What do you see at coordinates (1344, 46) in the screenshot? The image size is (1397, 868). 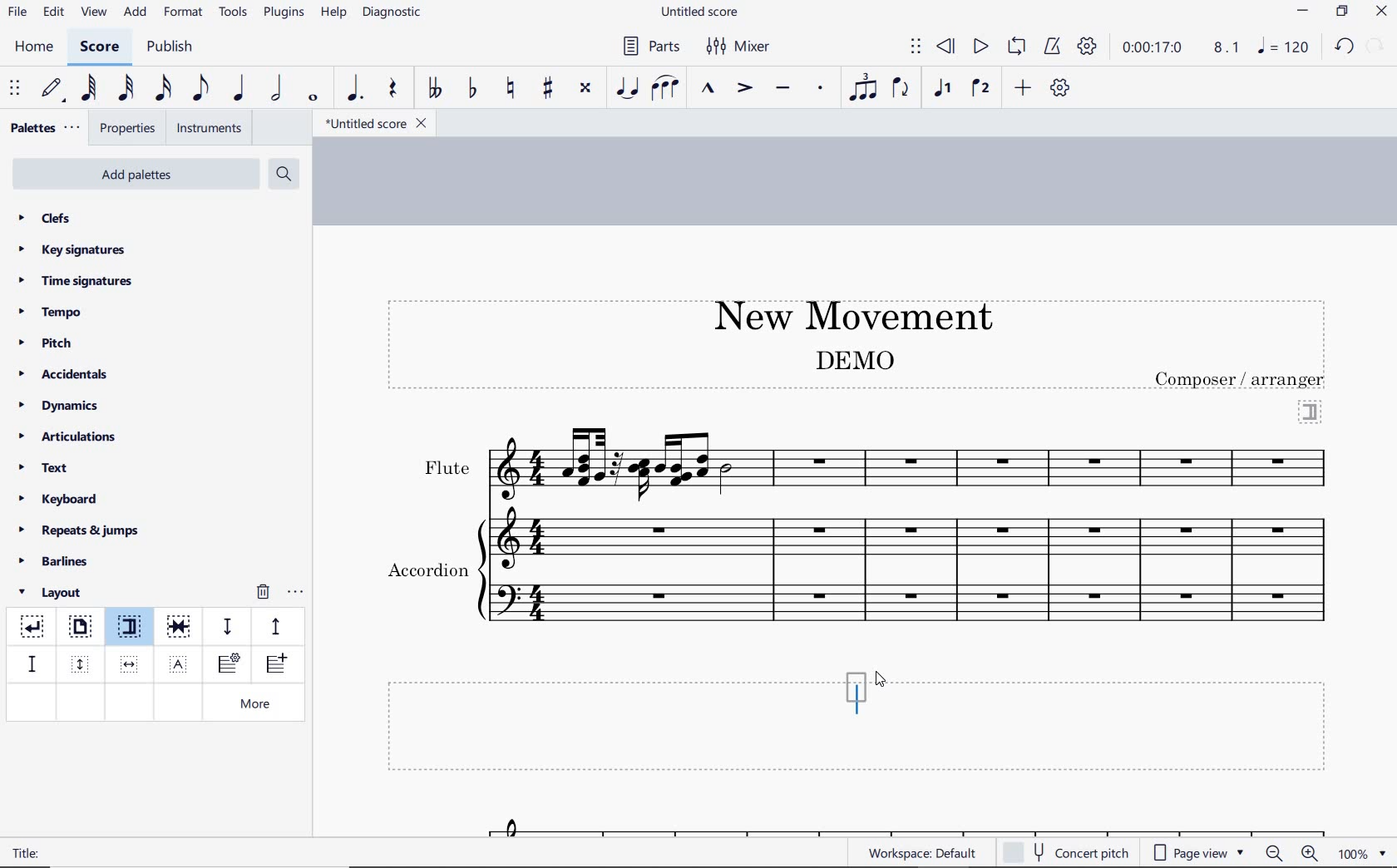 I see `redo` at bounding box center [1344, 46].